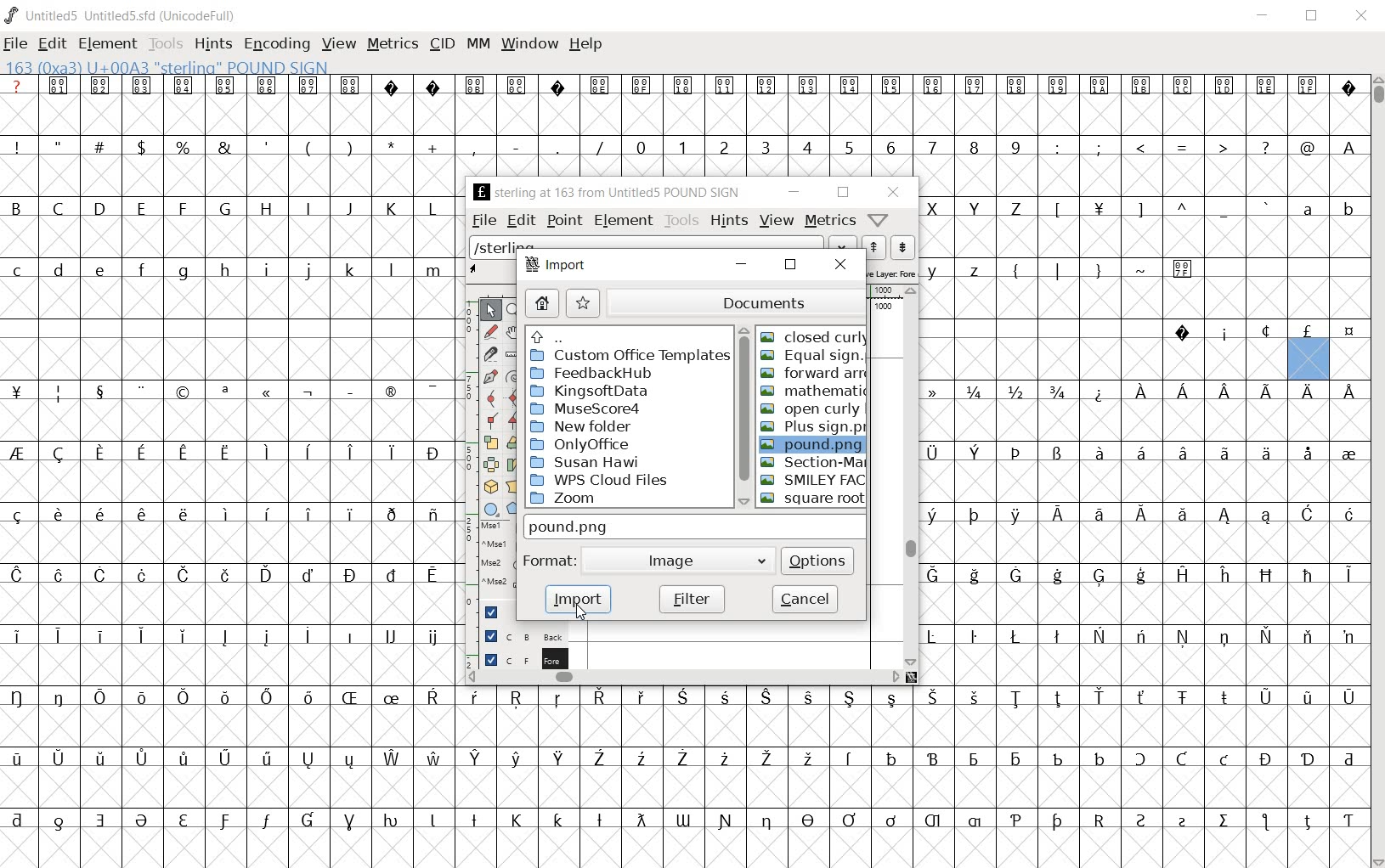  What do you see at coordinates (392, 759) in the screenshot?
I see `Symbol` at bounding box center [392, 759].